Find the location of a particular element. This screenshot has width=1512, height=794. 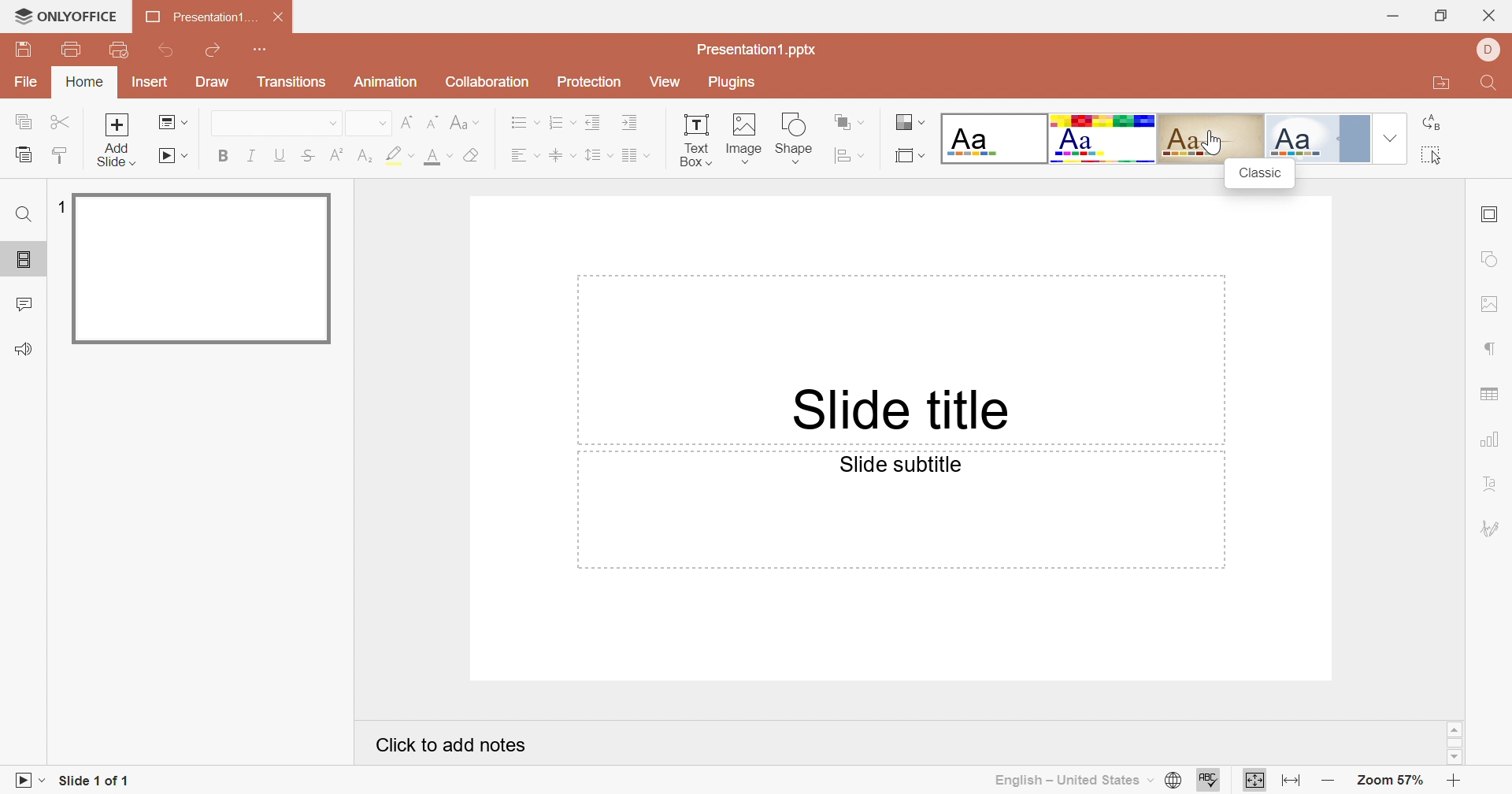

Align Text to Middle is located at coordinates (558, 155).